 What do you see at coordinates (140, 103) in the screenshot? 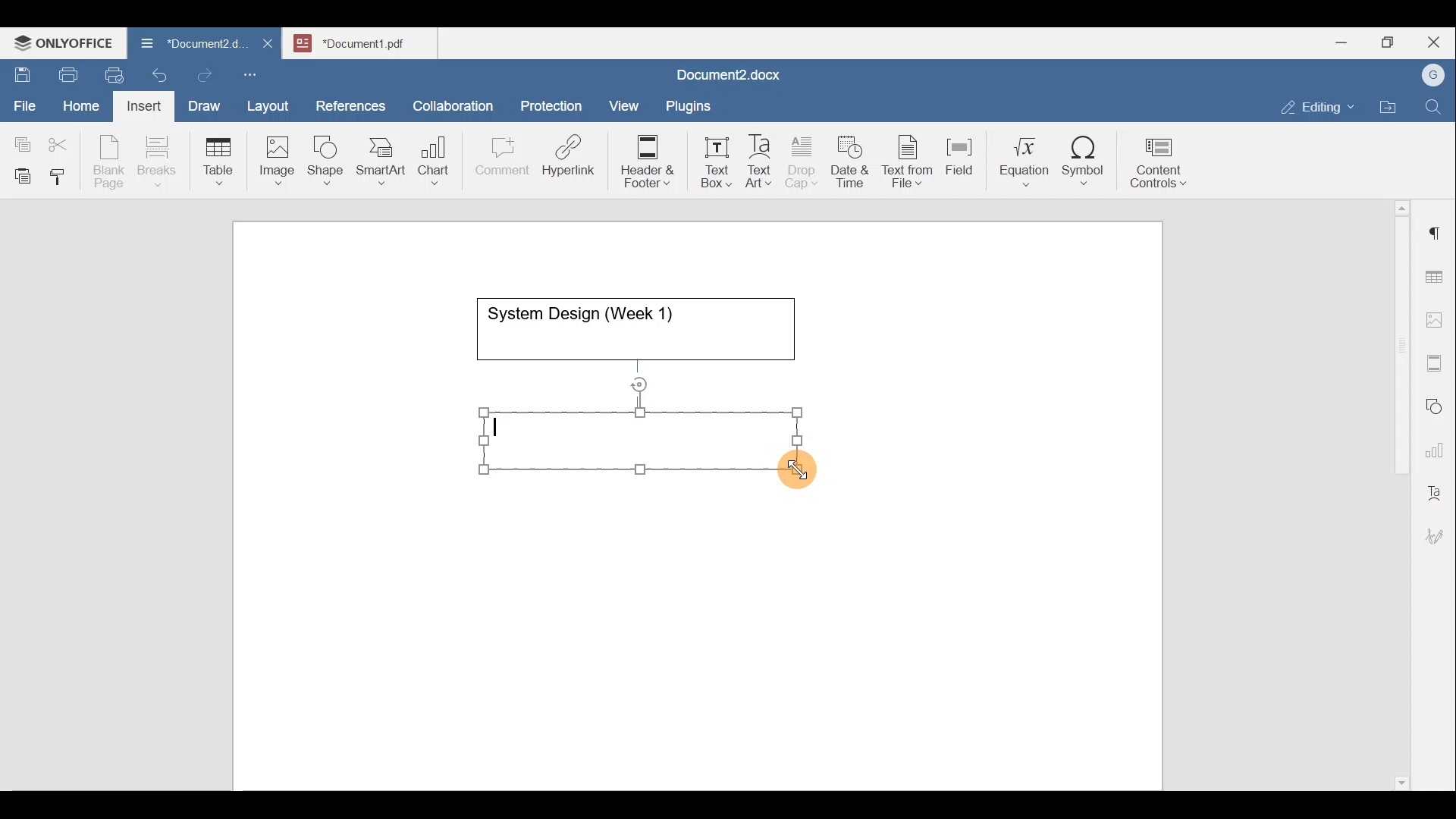
I see `Insert` at bounding box center [140, 103].